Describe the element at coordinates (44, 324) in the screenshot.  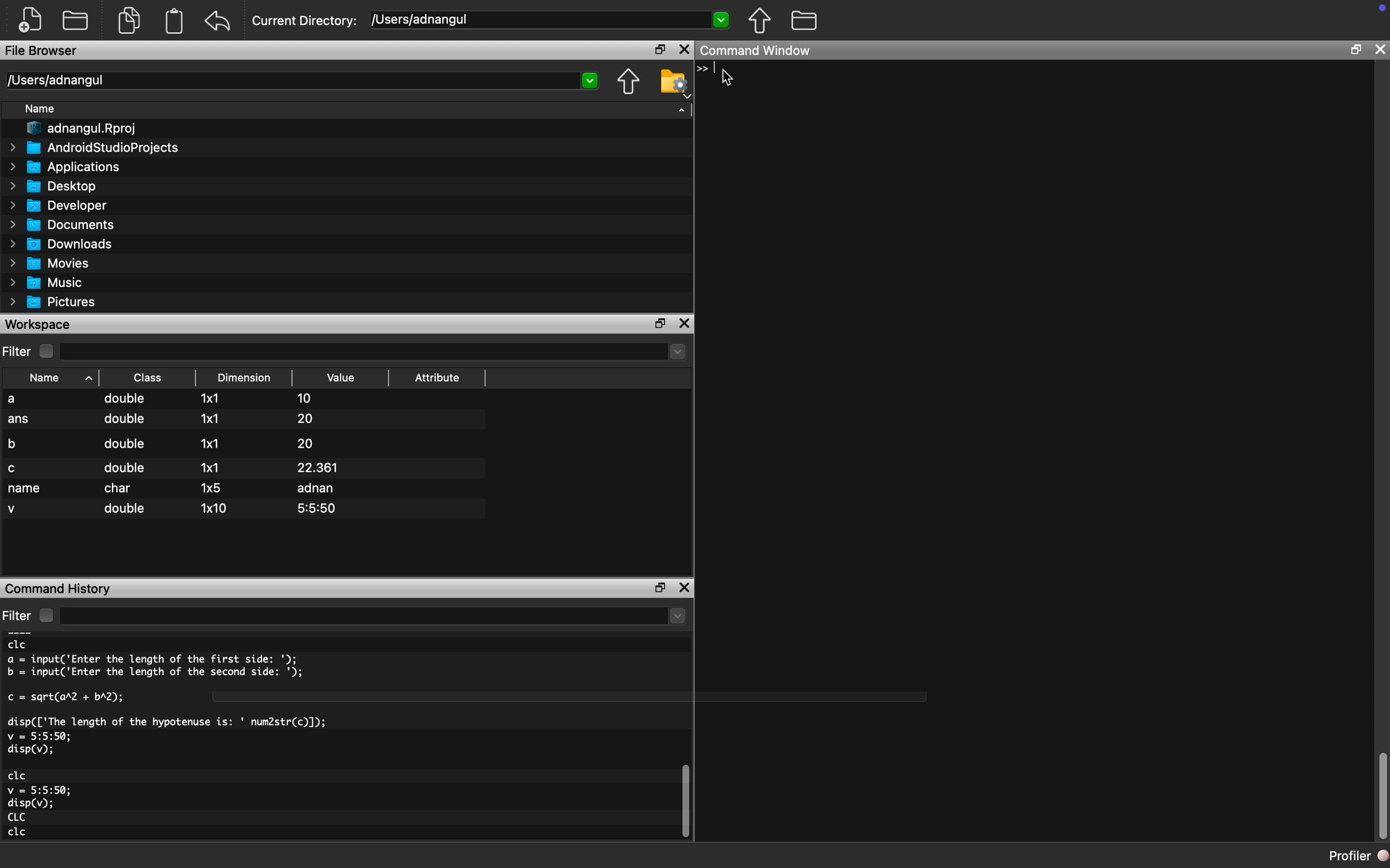
I see `Workspace` at that location.